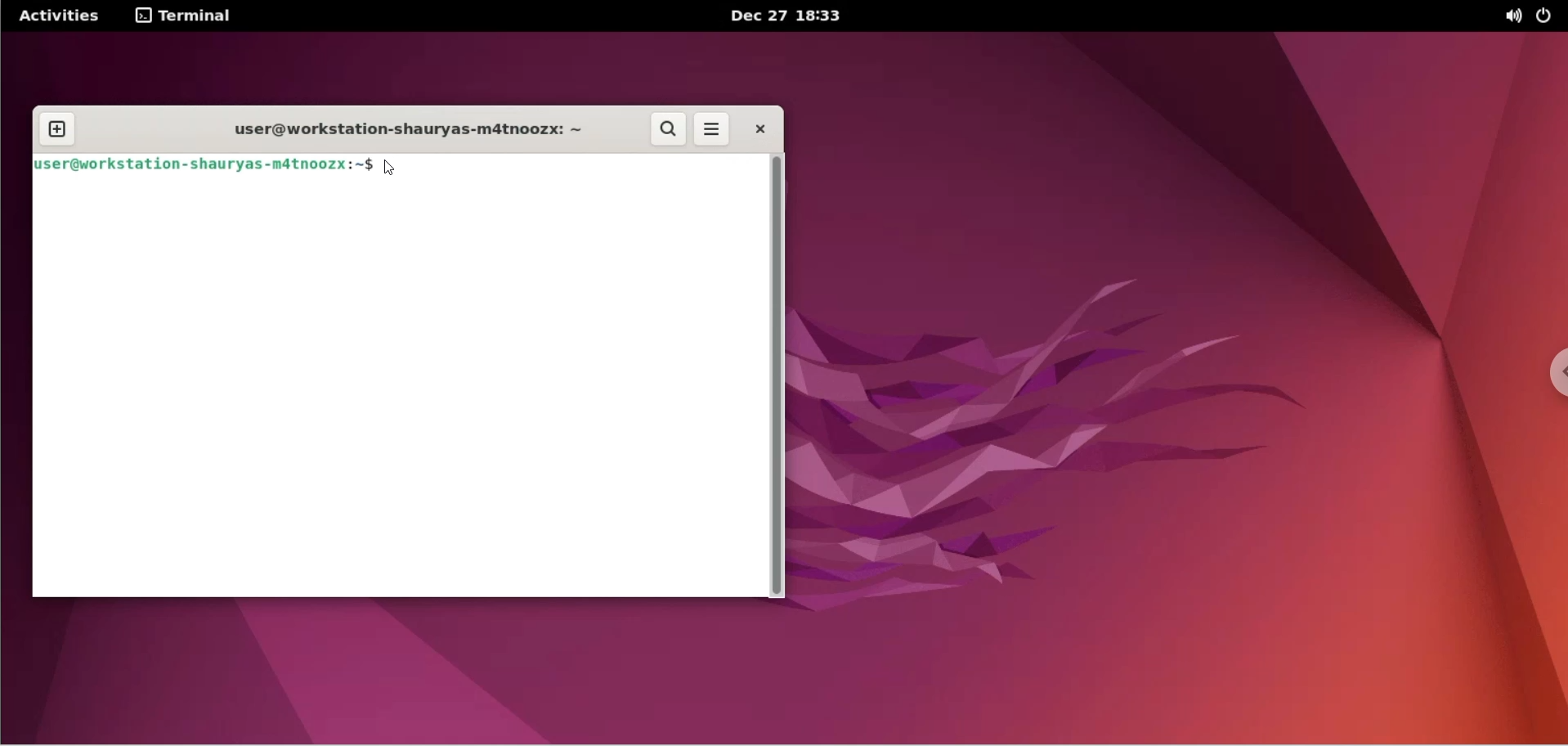  I want to click on scrollbar, so click(781, 377).